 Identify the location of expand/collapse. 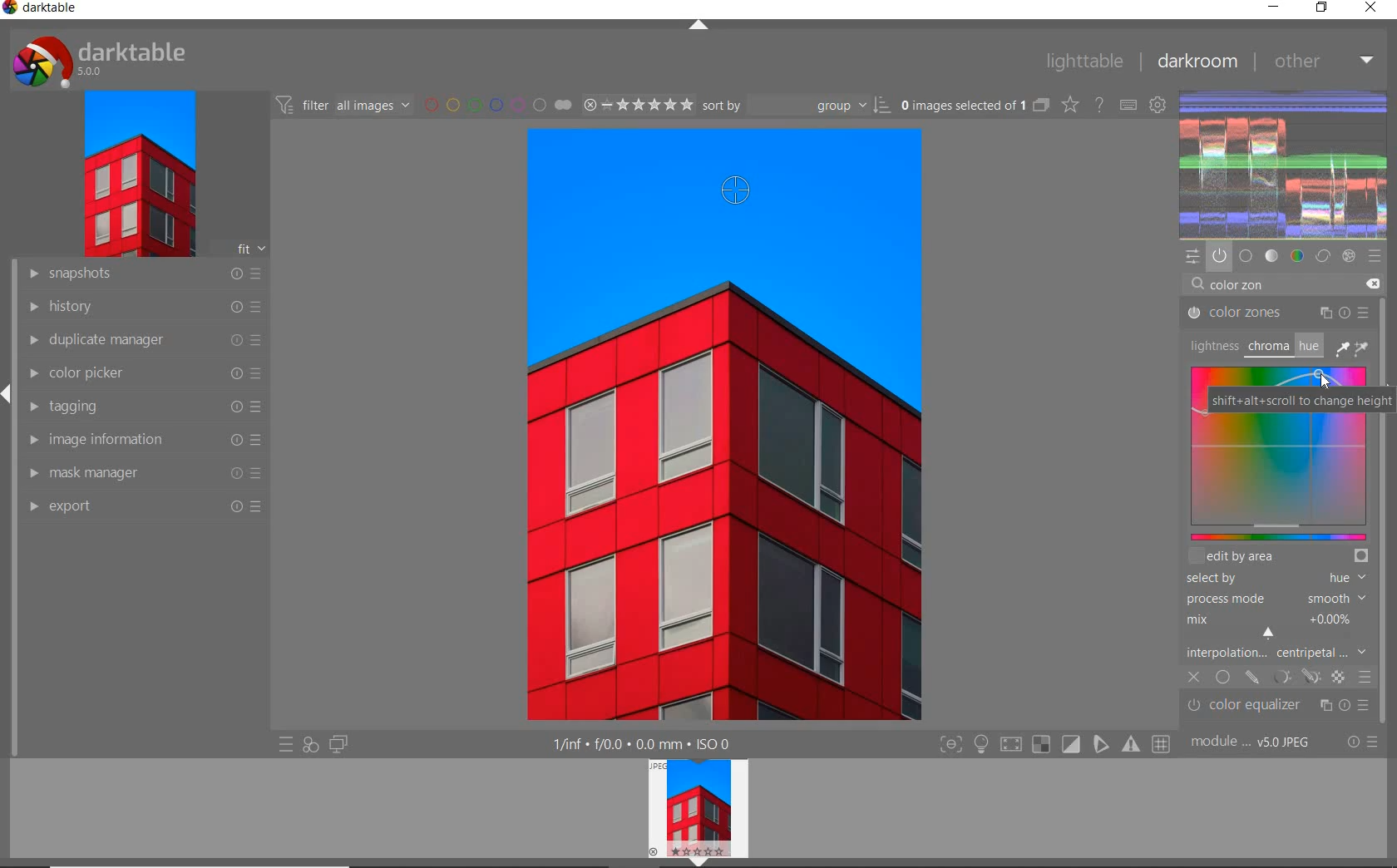
(8, 392).